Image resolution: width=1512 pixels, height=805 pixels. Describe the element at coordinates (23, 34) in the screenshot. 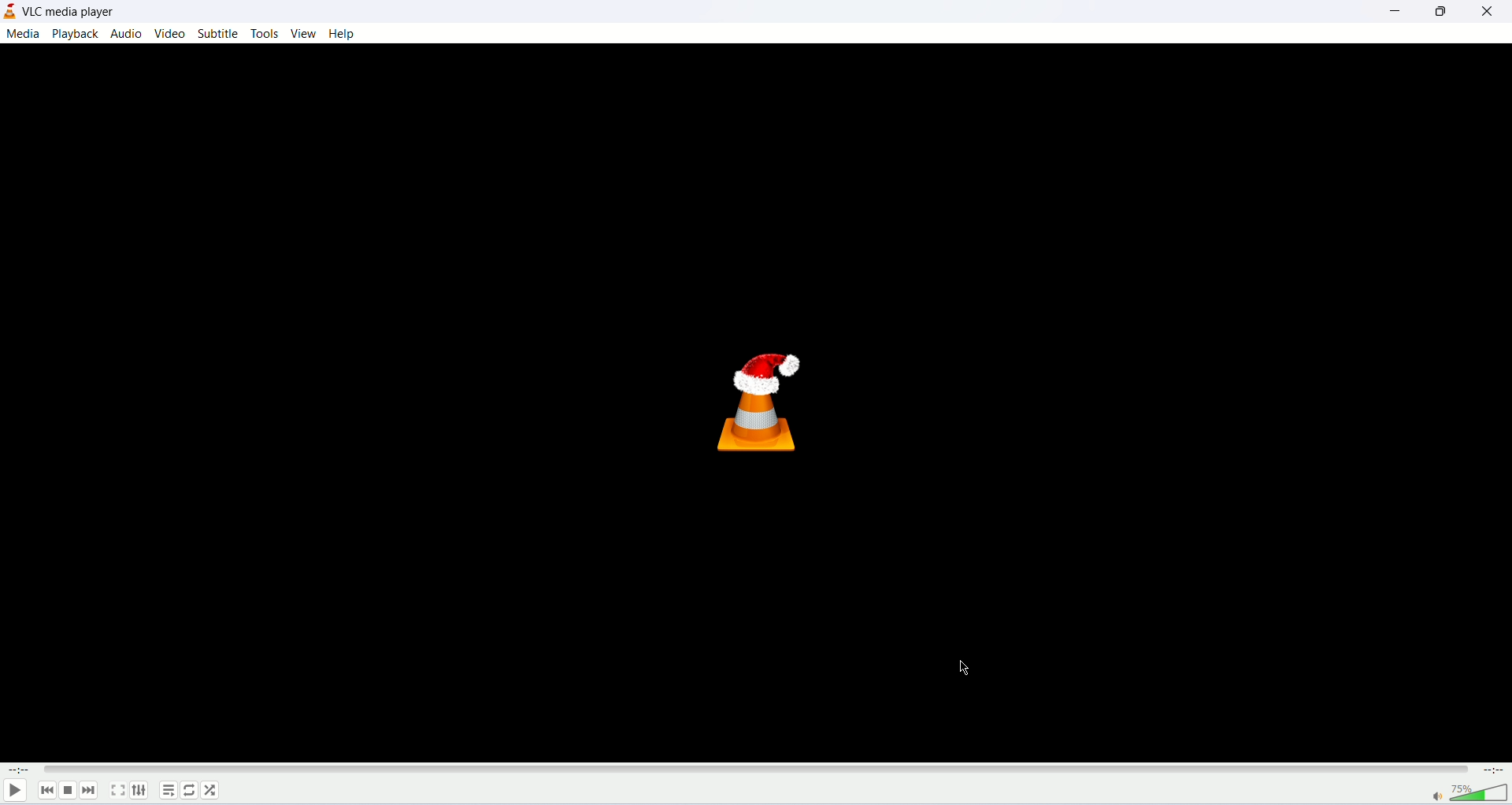

I see `media` at that location.